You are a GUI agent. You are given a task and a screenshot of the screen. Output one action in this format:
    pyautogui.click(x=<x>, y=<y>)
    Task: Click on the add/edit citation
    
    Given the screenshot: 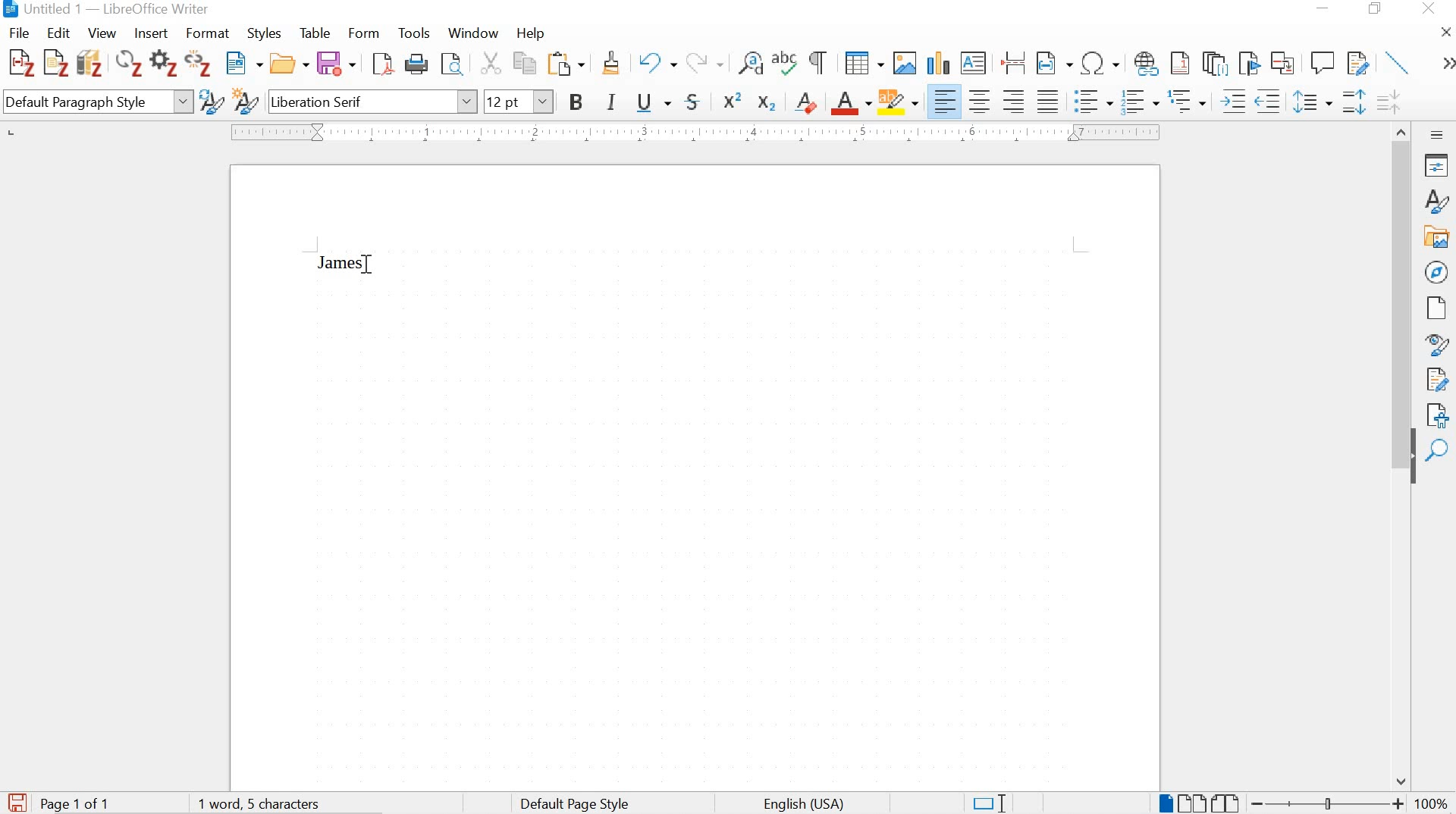 What is the action you would take?
    pyautogui.click(x=21, y=64)
    